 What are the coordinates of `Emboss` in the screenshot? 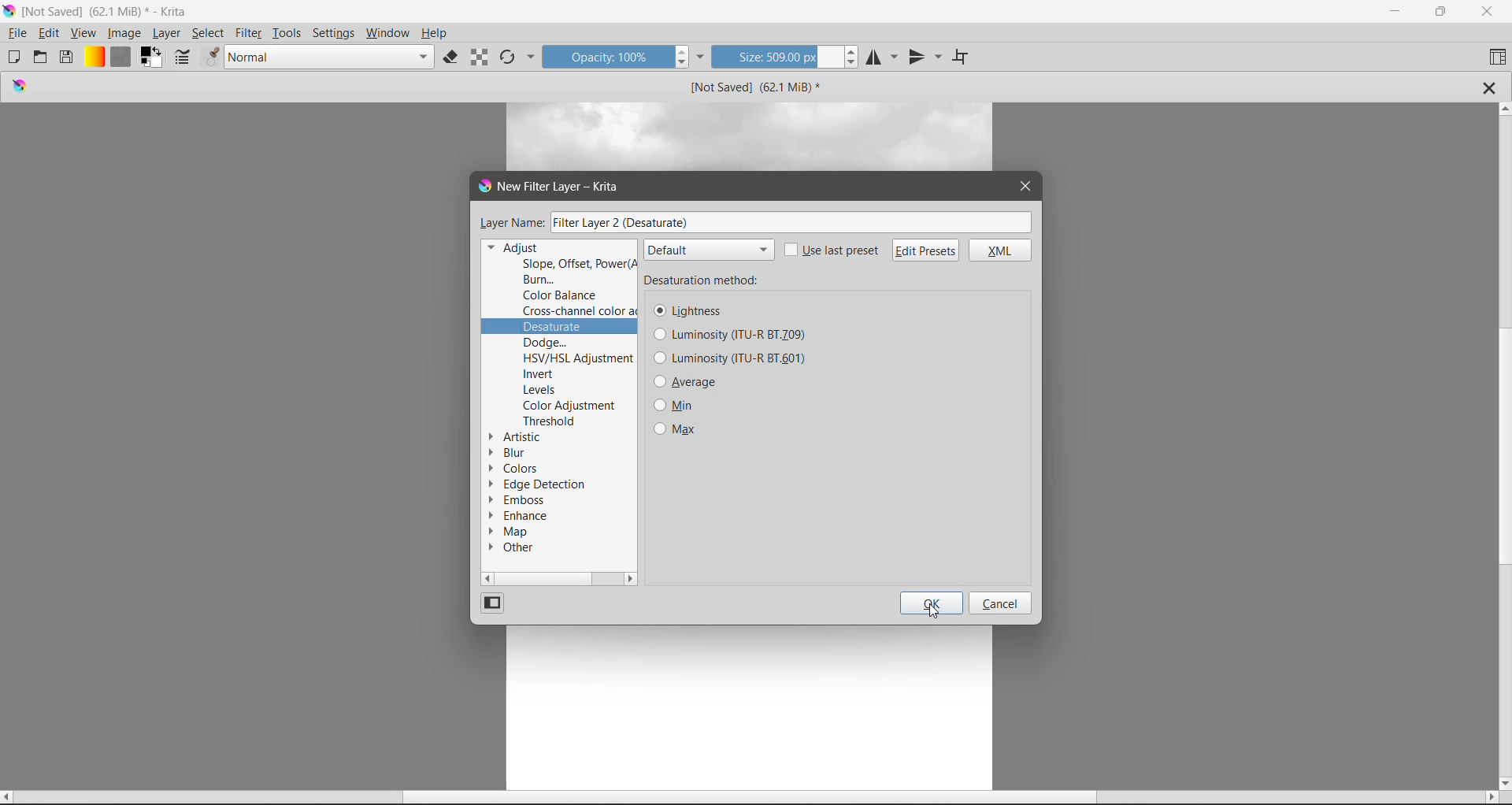 It's located at (522, 500).